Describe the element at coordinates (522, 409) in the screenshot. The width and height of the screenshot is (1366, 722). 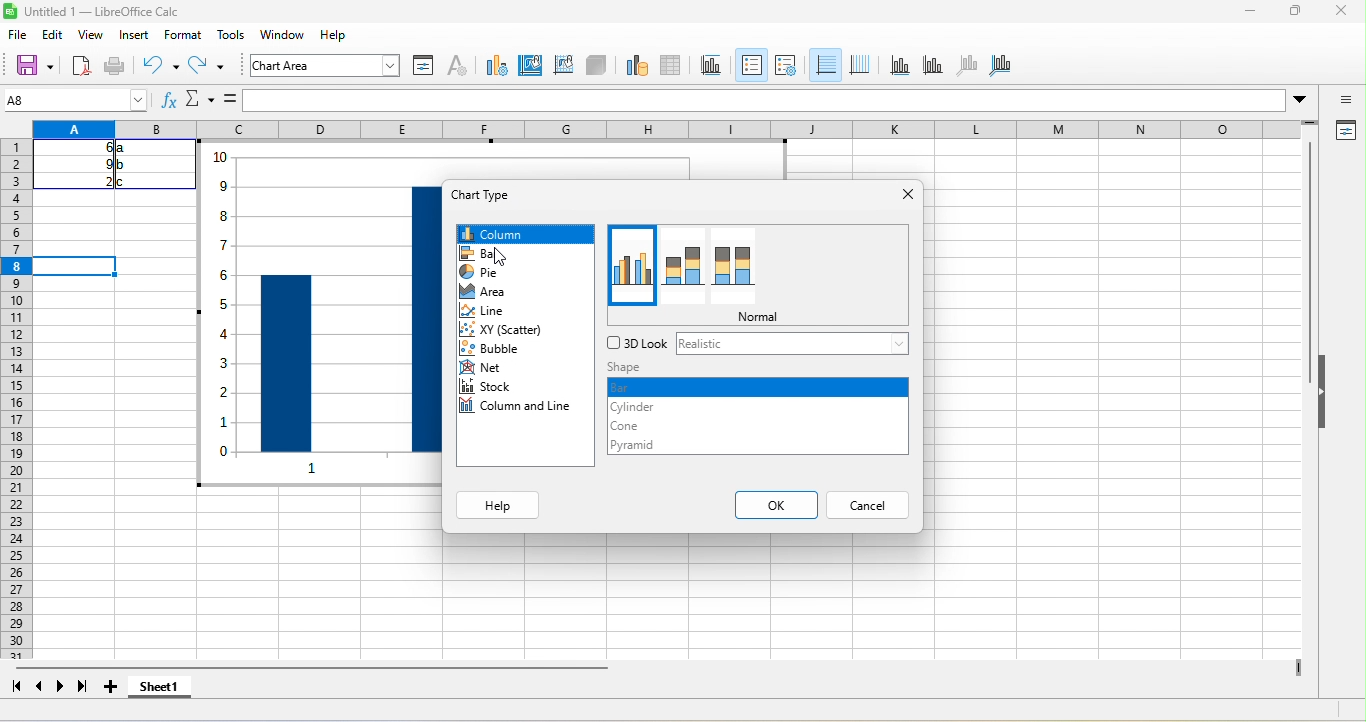
I see `column and line` at that location.